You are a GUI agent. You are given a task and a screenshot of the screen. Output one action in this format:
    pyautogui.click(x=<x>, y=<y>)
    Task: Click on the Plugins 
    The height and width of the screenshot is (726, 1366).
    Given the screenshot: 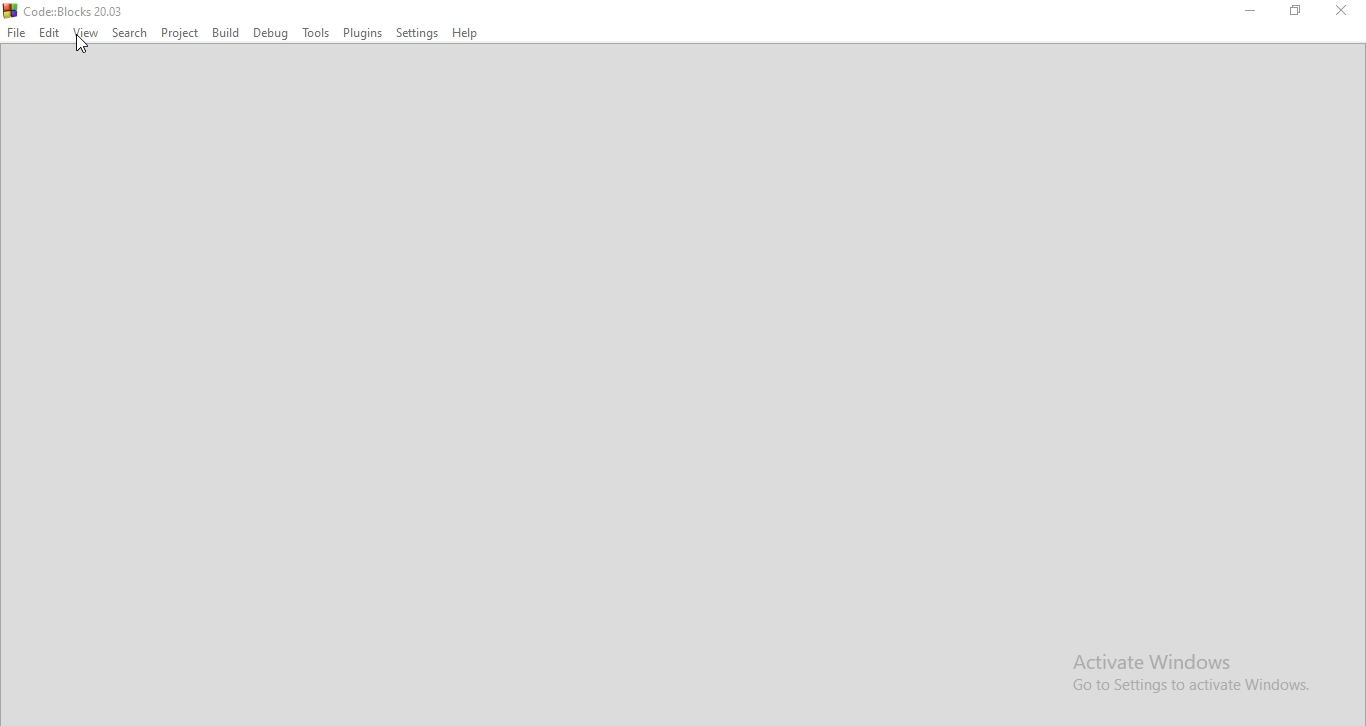 What is the action you would take?
    pyautogui.click(x=363, y=33)
    